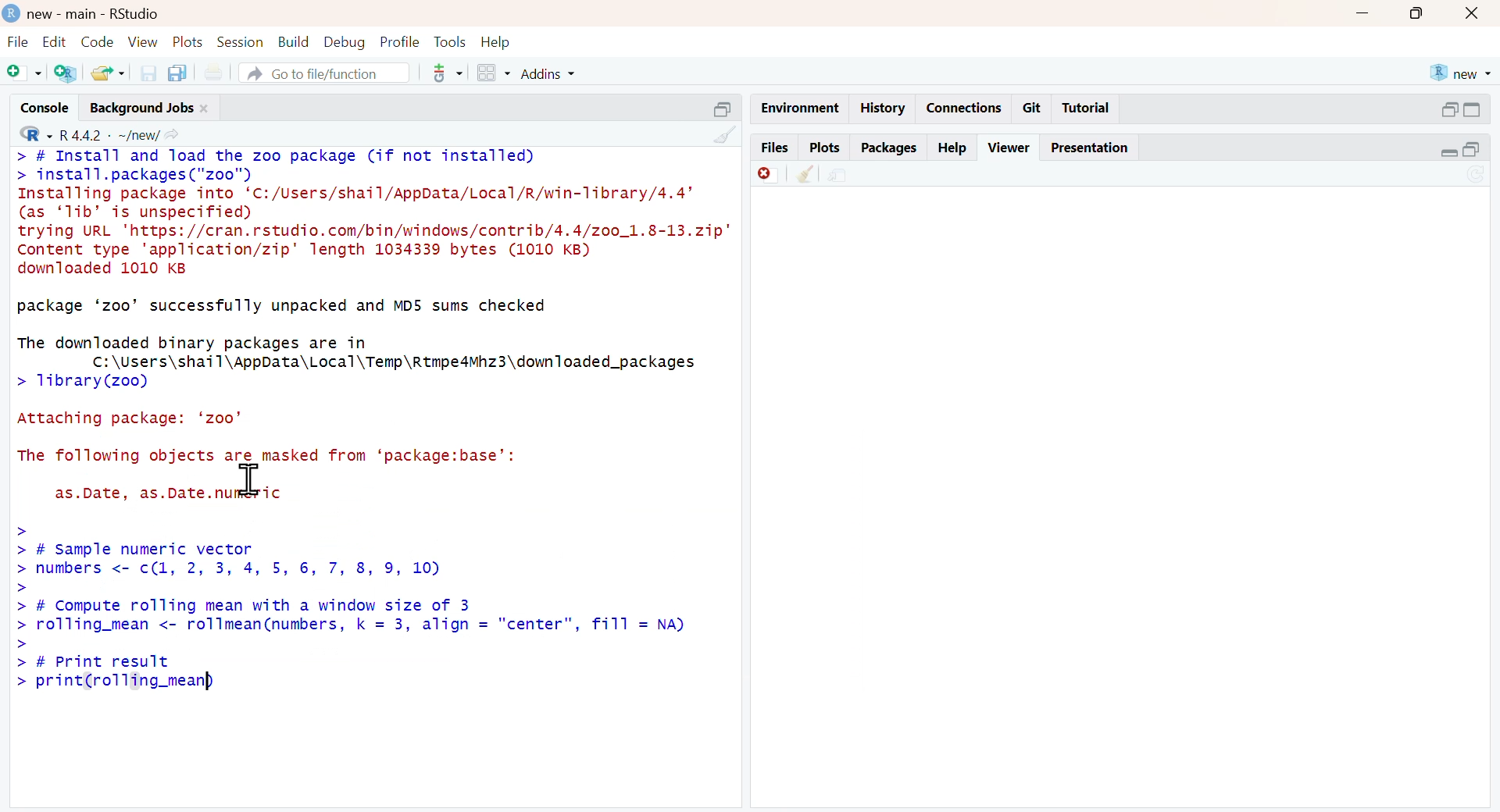 Image resolution: width=1500 pixels, height=812 pixels. I want to click on plots, so click(825, 148).